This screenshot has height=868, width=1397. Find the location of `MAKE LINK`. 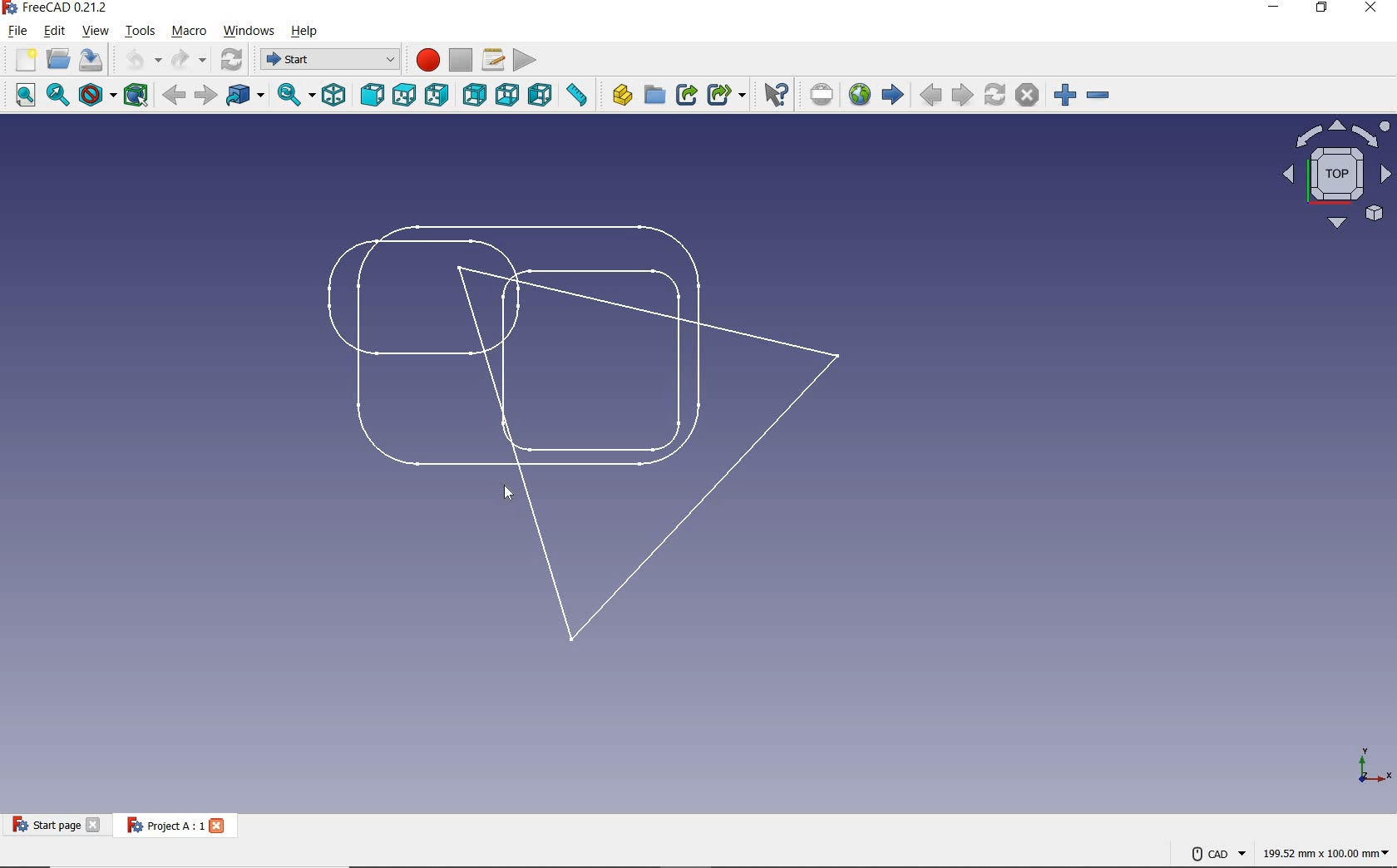

MAKE LINK is located at coordinates (686, 96).